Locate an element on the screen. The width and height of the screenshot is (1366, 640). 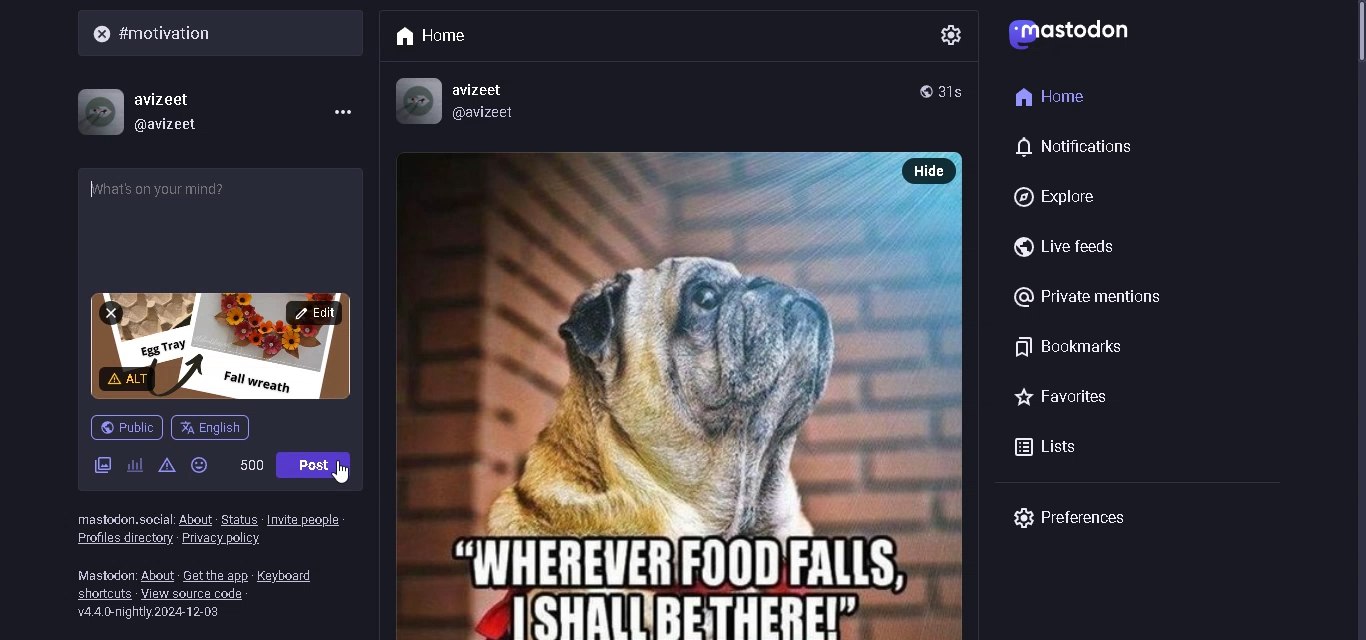
settings is located at coordinates (948, 31).